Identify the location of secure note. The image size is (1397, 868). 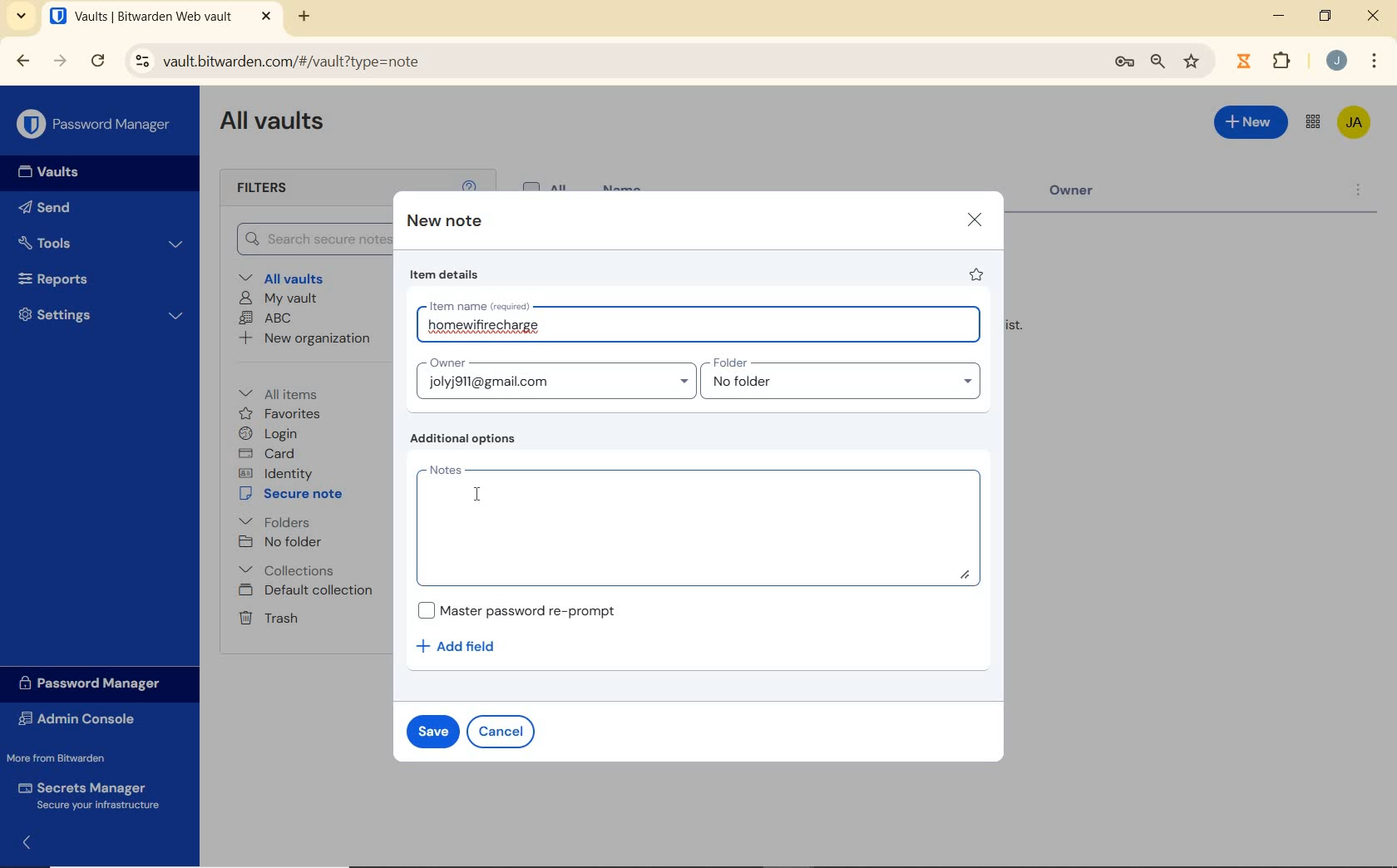
(294, 494).